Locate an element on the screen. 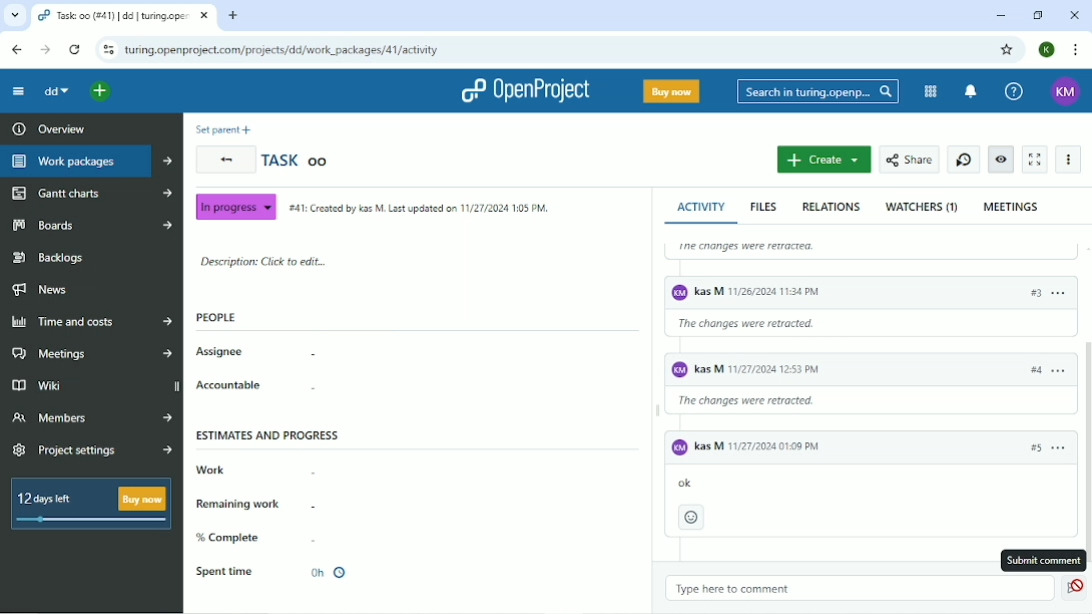 The image size is (1092, 614). Wiki is located at coordinates (93, 386).